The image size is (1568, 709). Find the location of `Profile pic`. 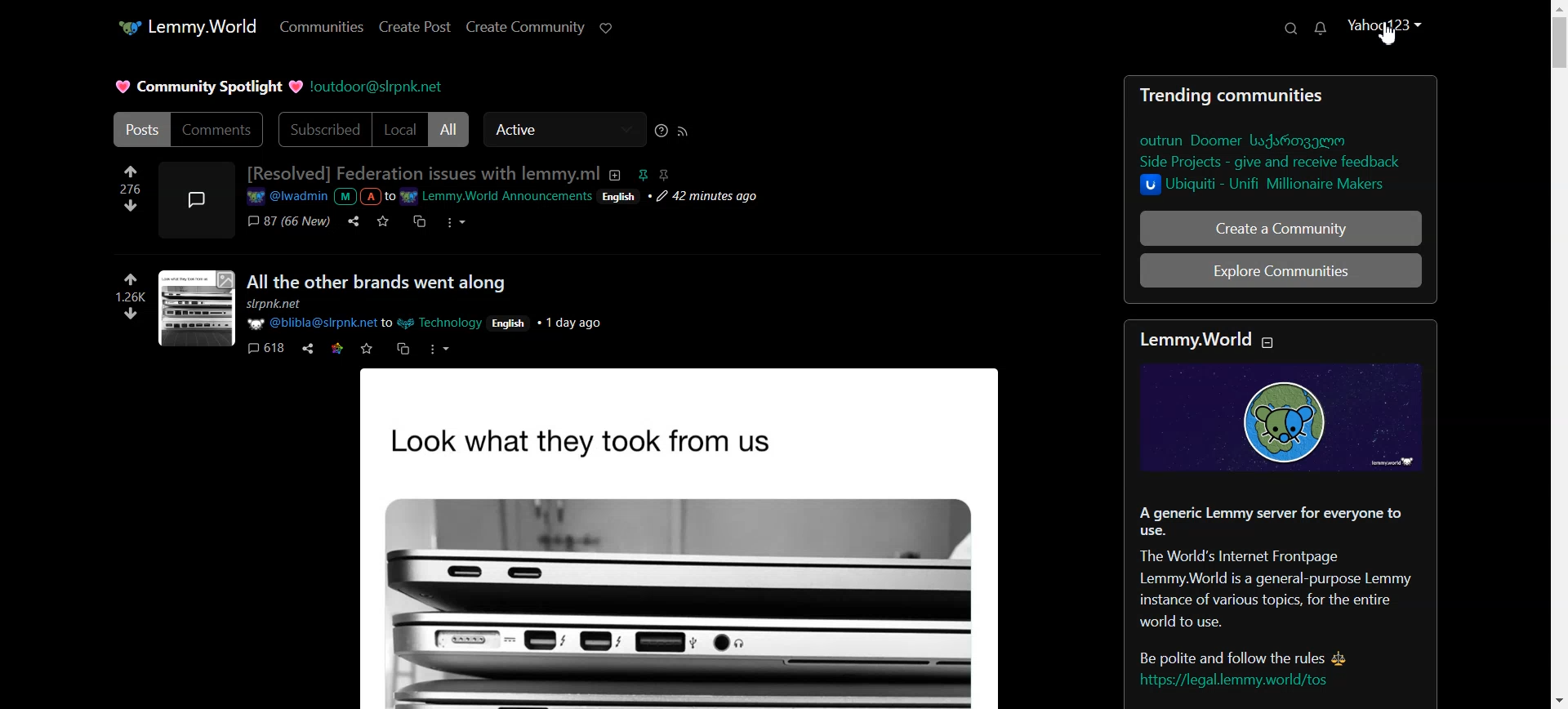

Profile pic is located at coordinates (197, 200).